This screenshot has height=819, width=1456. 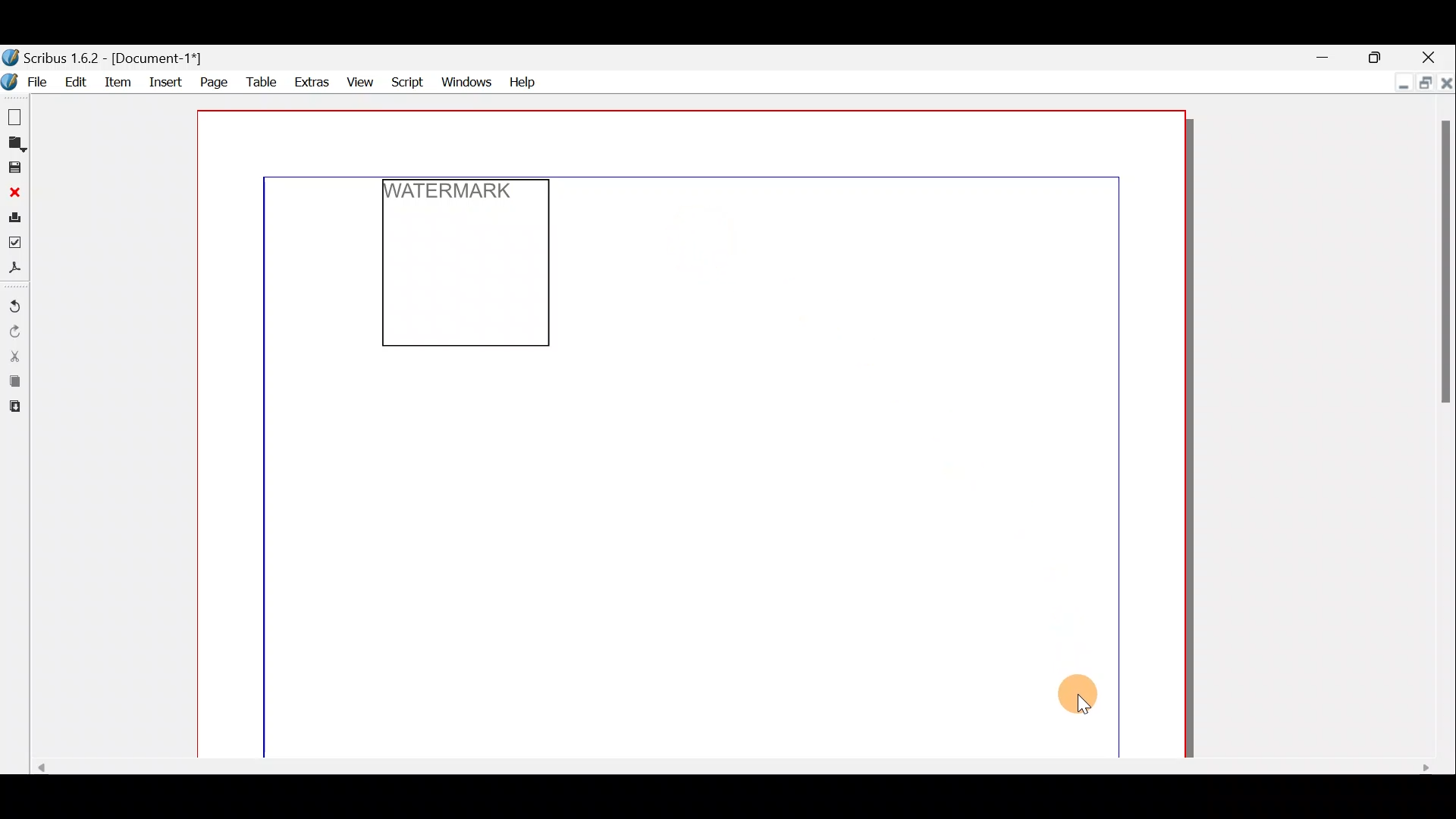 What do you see at coordinates (1446, 81) in the screenshot?
I see `Close` at bounding box center [1446, 81].